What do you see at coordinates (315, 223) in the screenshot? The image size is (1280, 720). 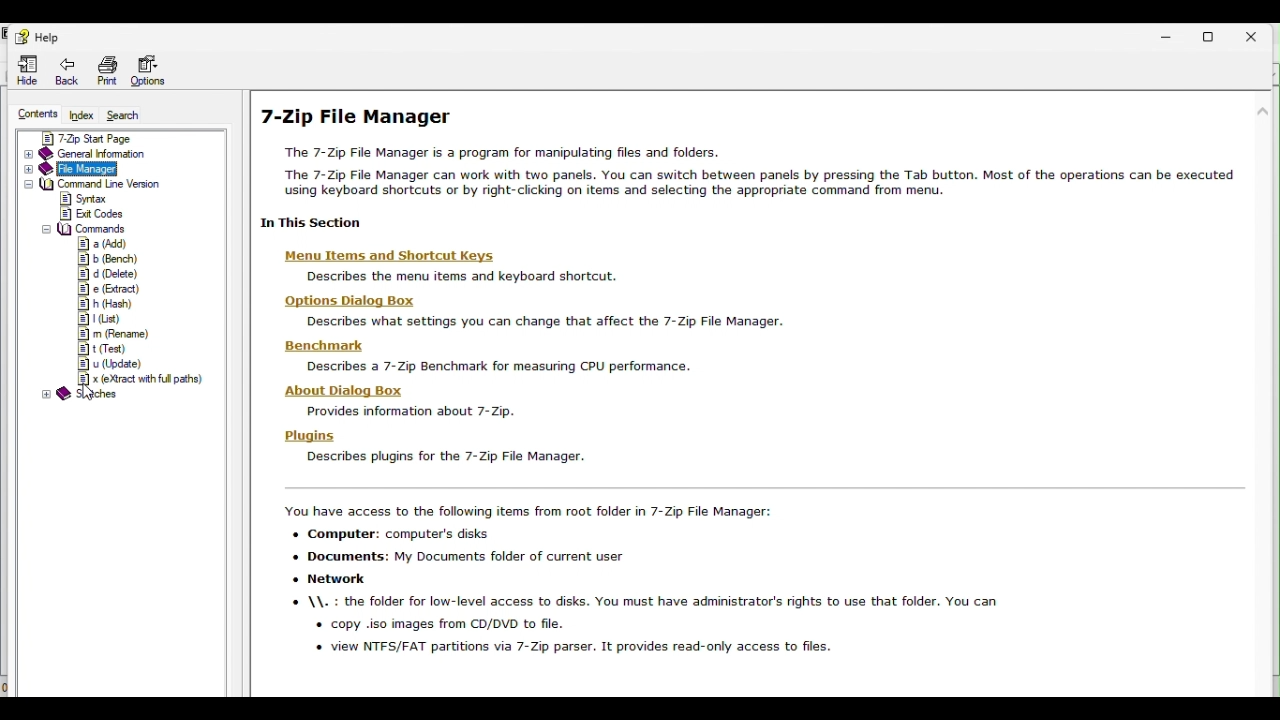 I see `In this secction` at bounding box center [315, 223].